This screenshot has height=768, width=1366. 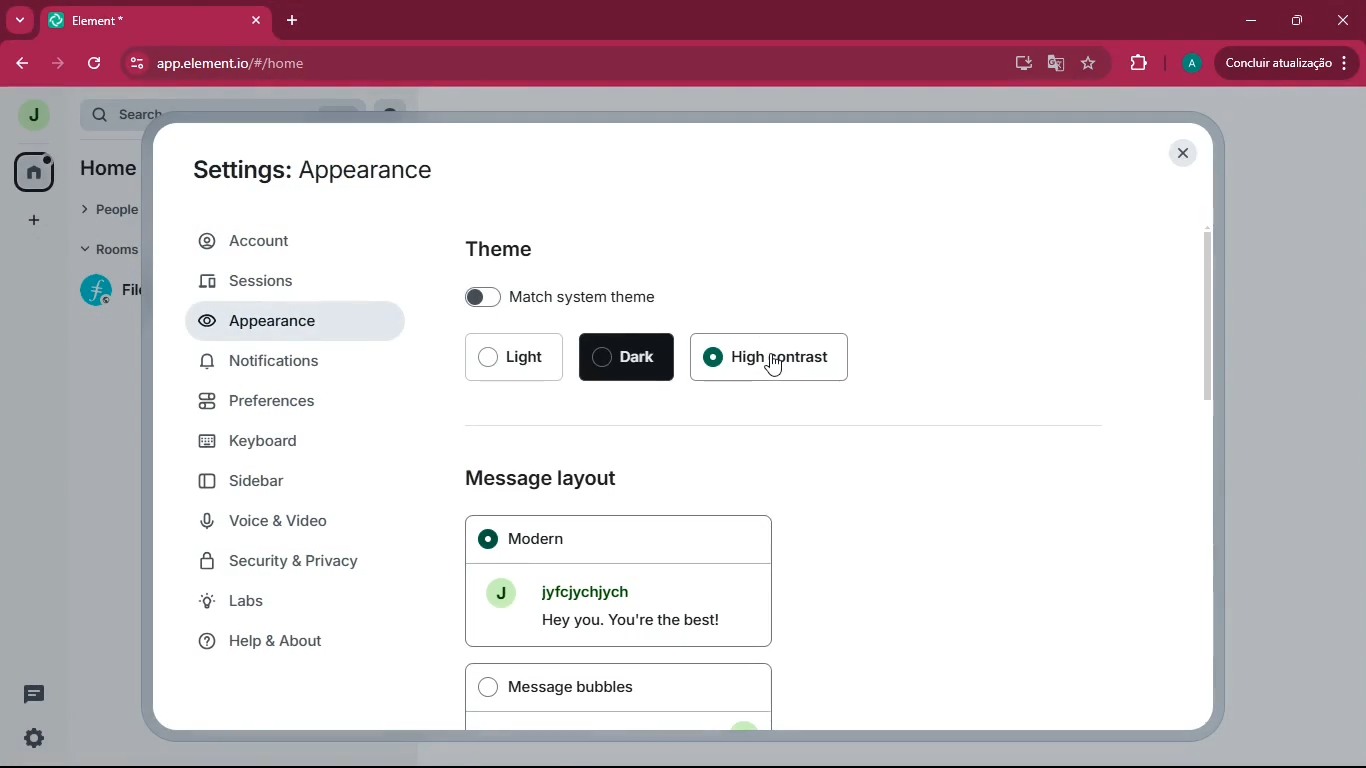 What do you see at coordinates (539, 479) in the screenshot?
I see `Message layout` at bounding box center [539, 479].